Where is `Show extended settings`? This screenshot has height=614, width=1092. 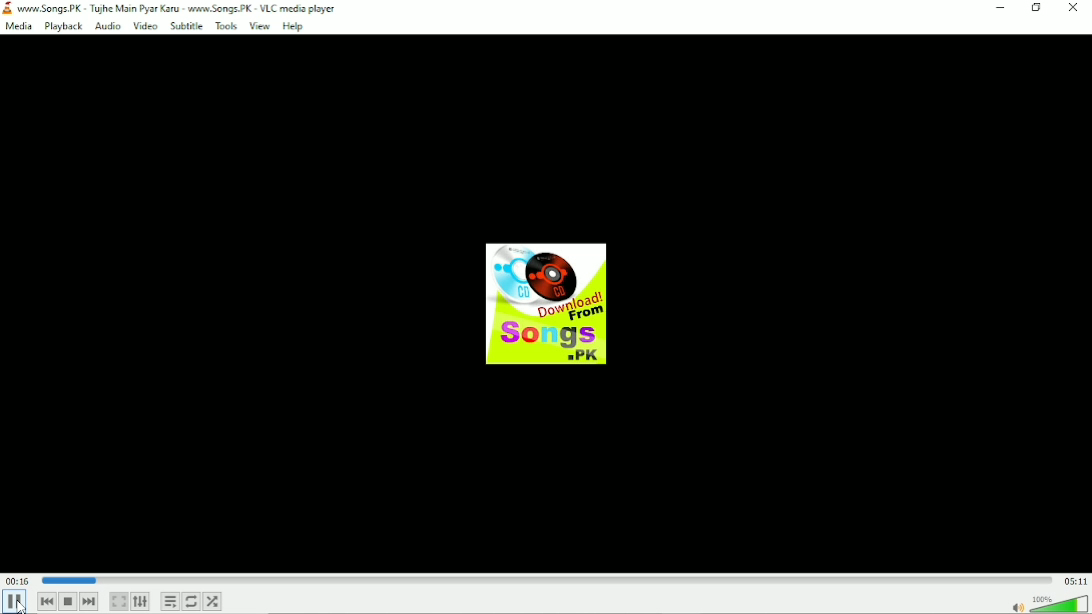
Show extended settings is located at coordinates (140, 601).